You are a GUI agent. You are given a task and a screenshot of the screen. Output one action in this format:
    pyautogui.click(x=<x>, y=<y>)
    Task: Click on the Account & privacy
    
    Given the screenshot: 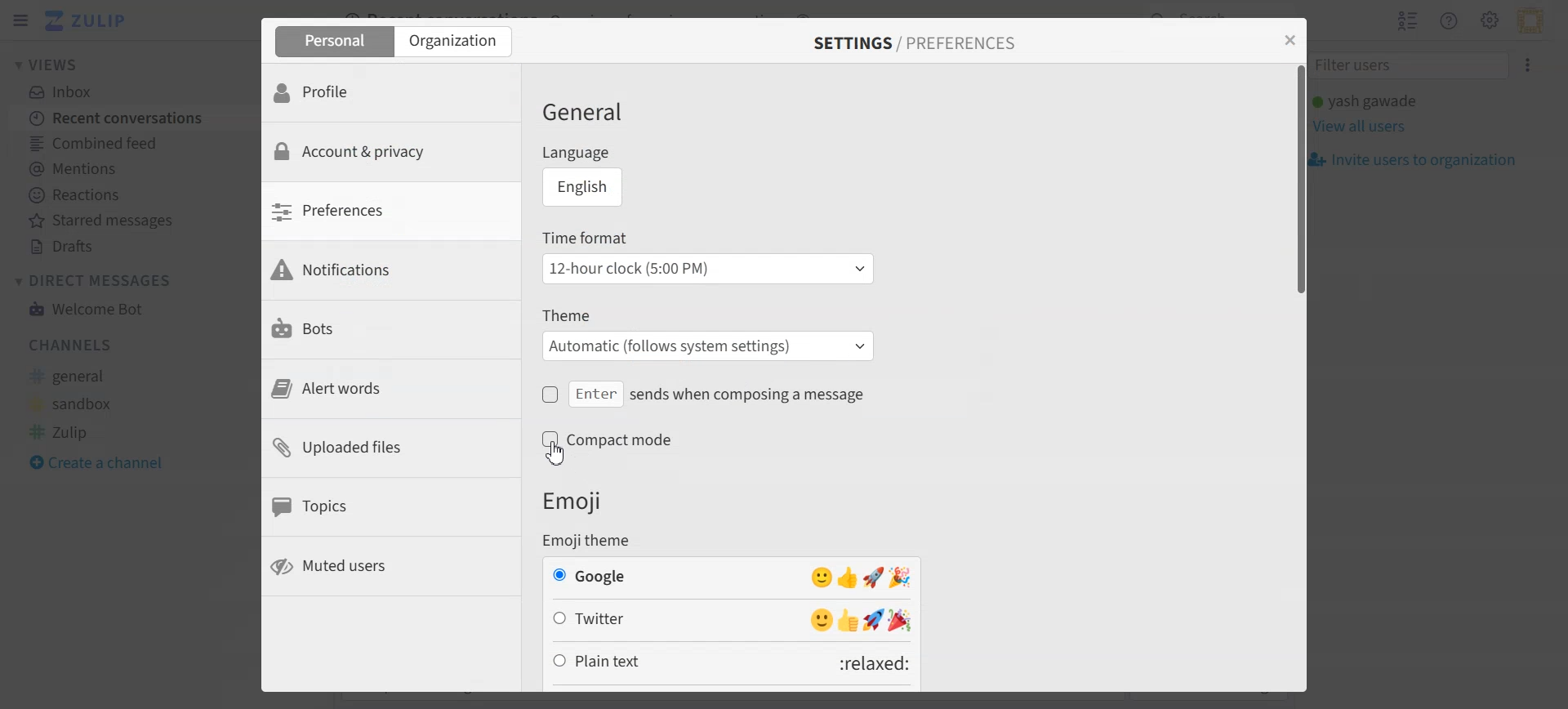 What is the action you would take?
    pyautogui.click(x=390, y=152)
    